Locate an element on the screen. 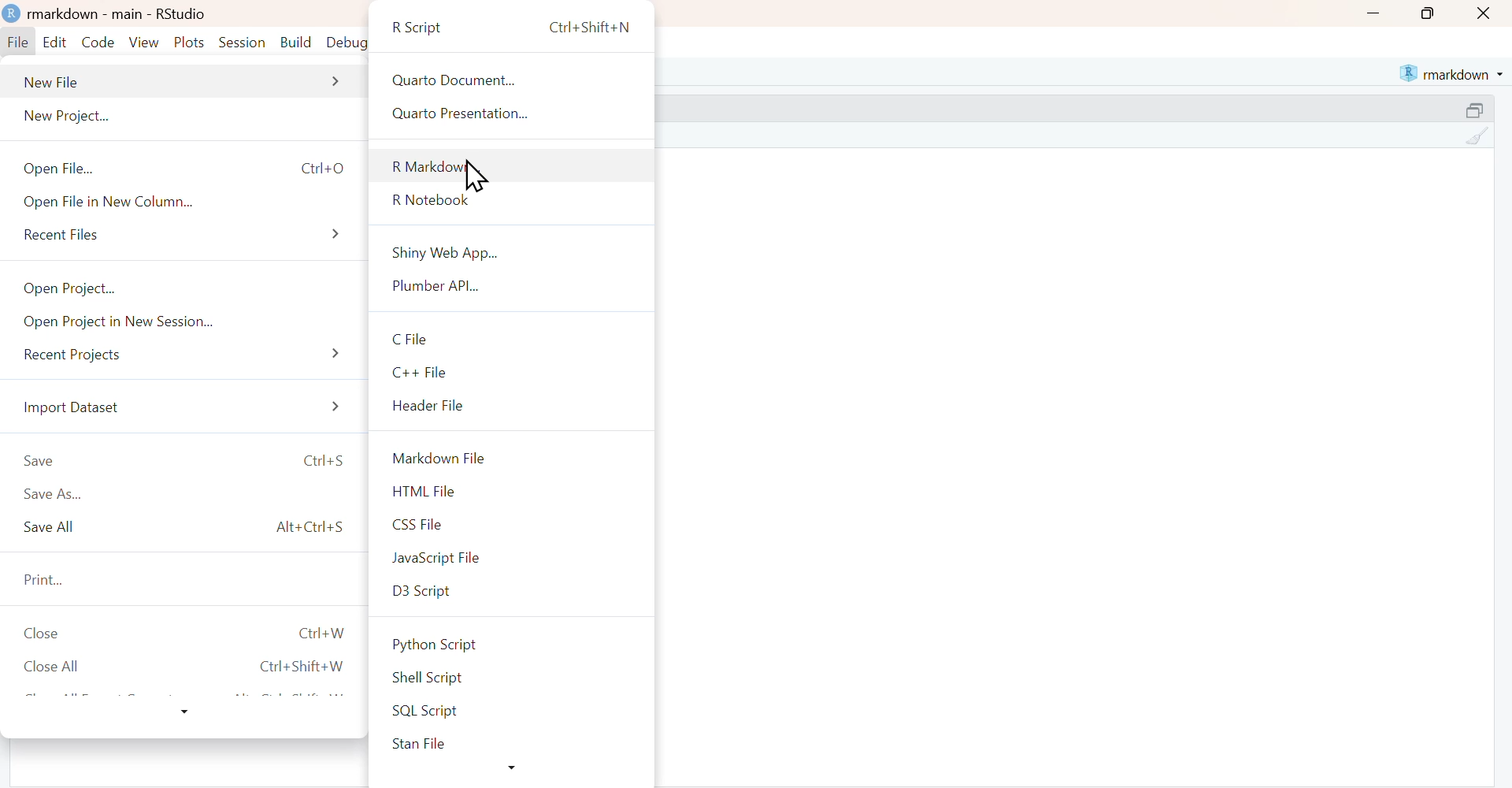  save is located at coordinates (190, 461).